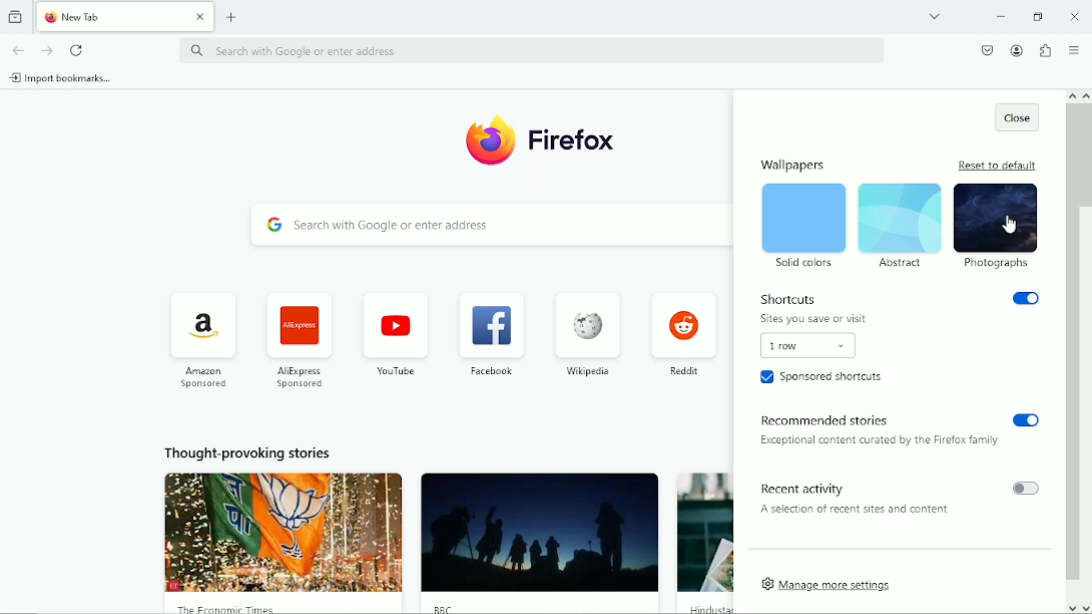 The image size is (1092, 614). I want to click on Facebook, so click(491, 334).